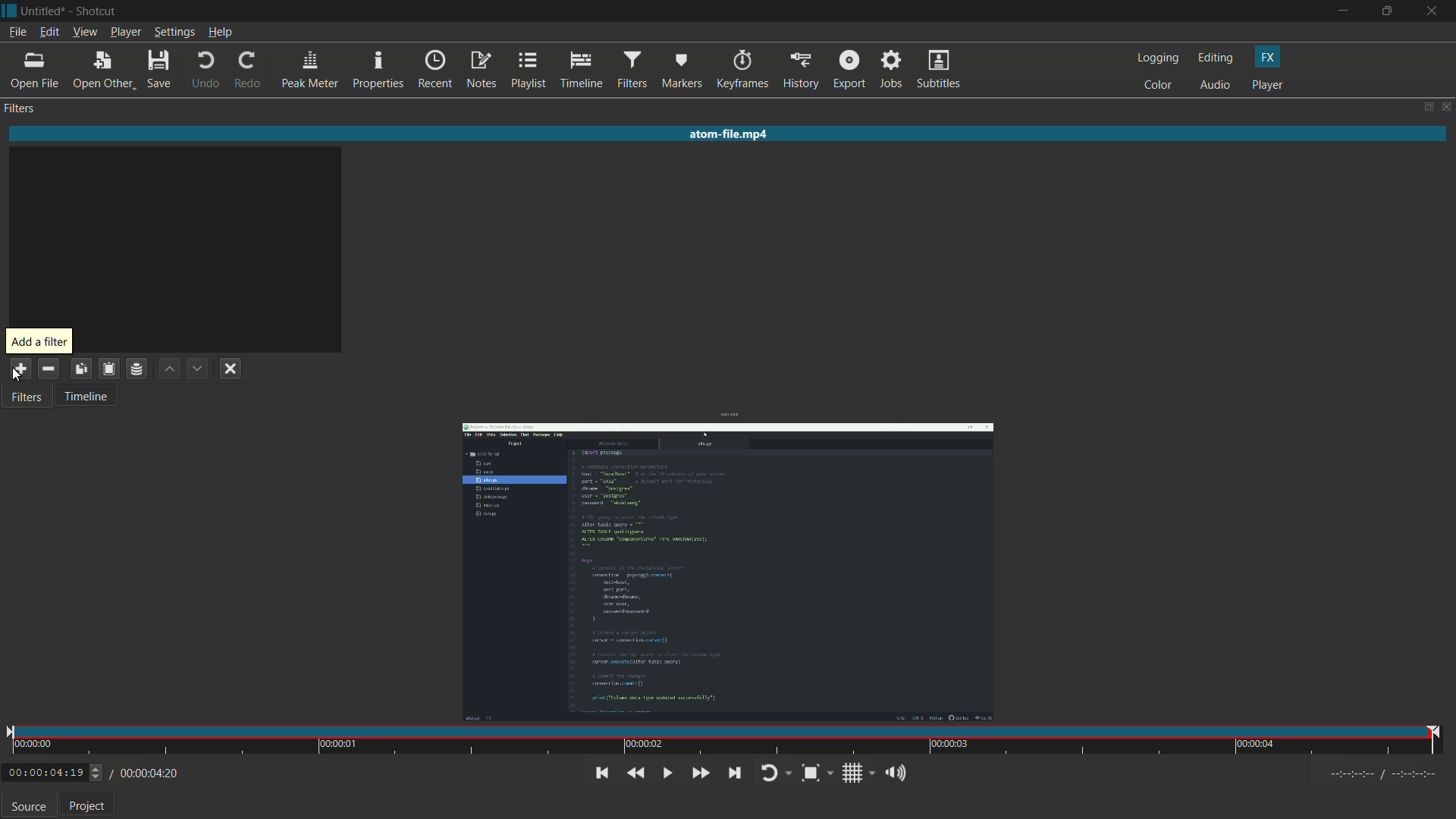  I want to click on close app, so click(1435, 11).